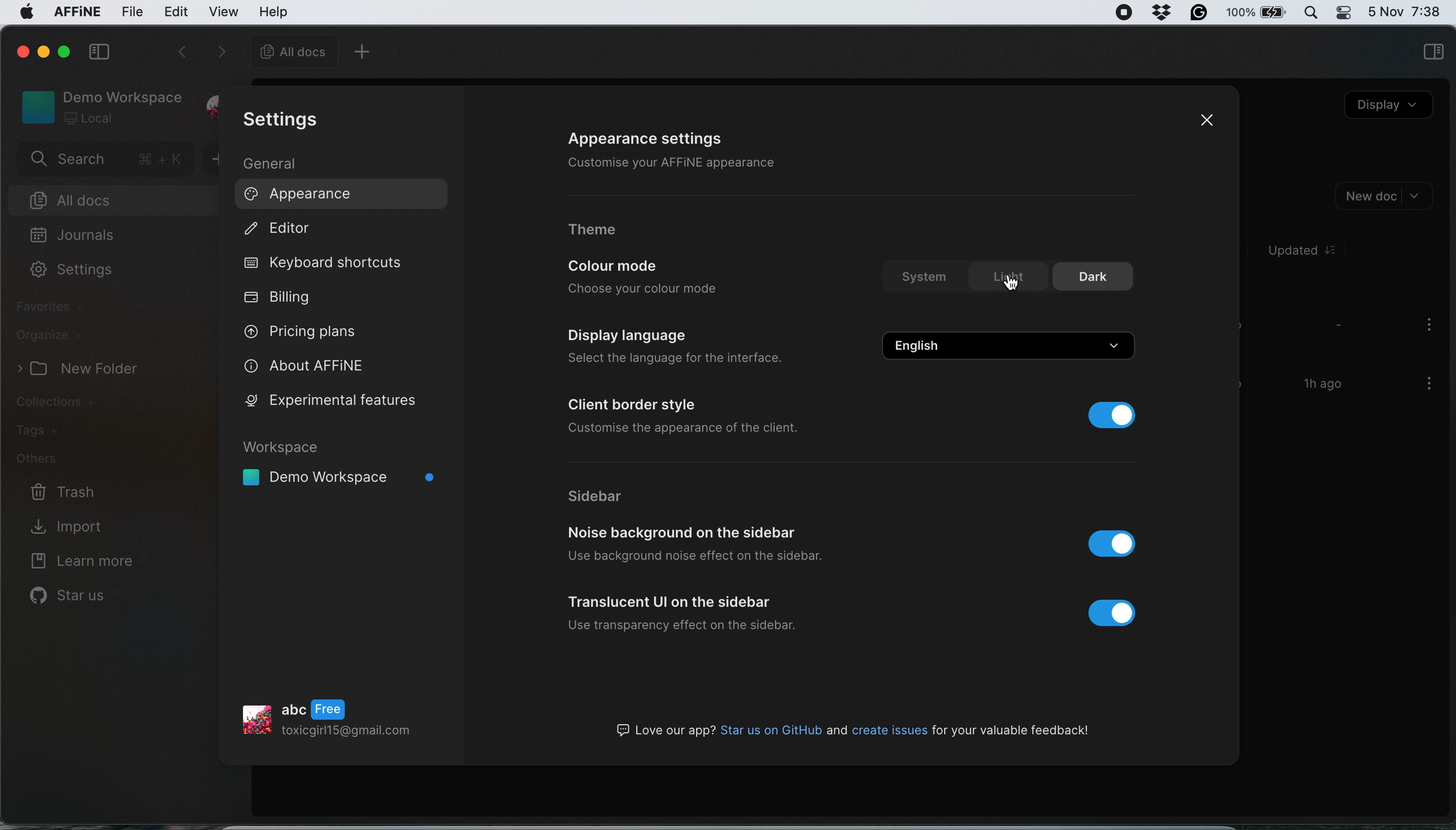 Image resolution: width=1456 pixels, height=830 pixels. I want to click on use transparency effect on the sidebar, so click(683, 623).